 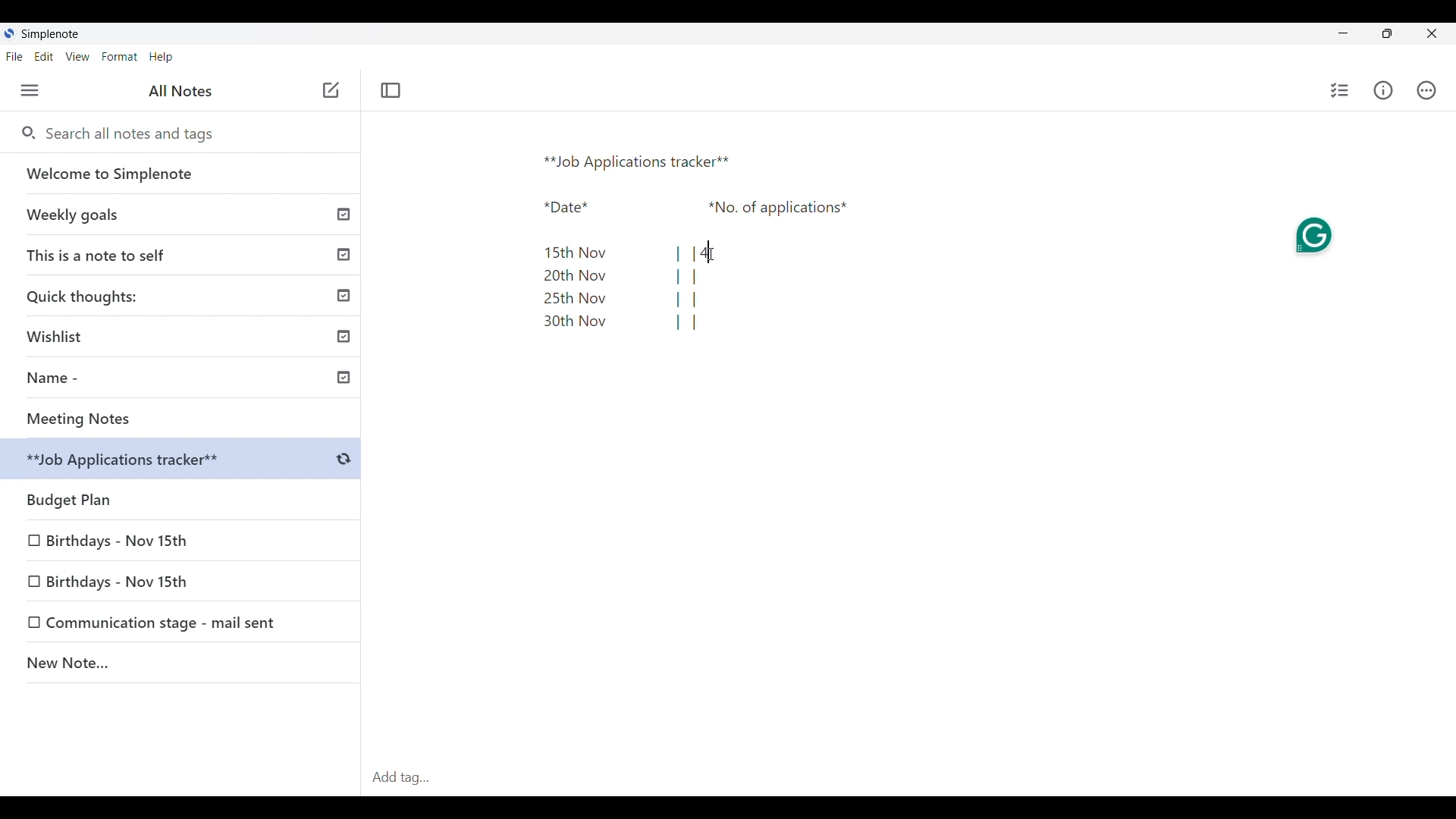 I want to click on Cursor, so click(x=711, y=253).